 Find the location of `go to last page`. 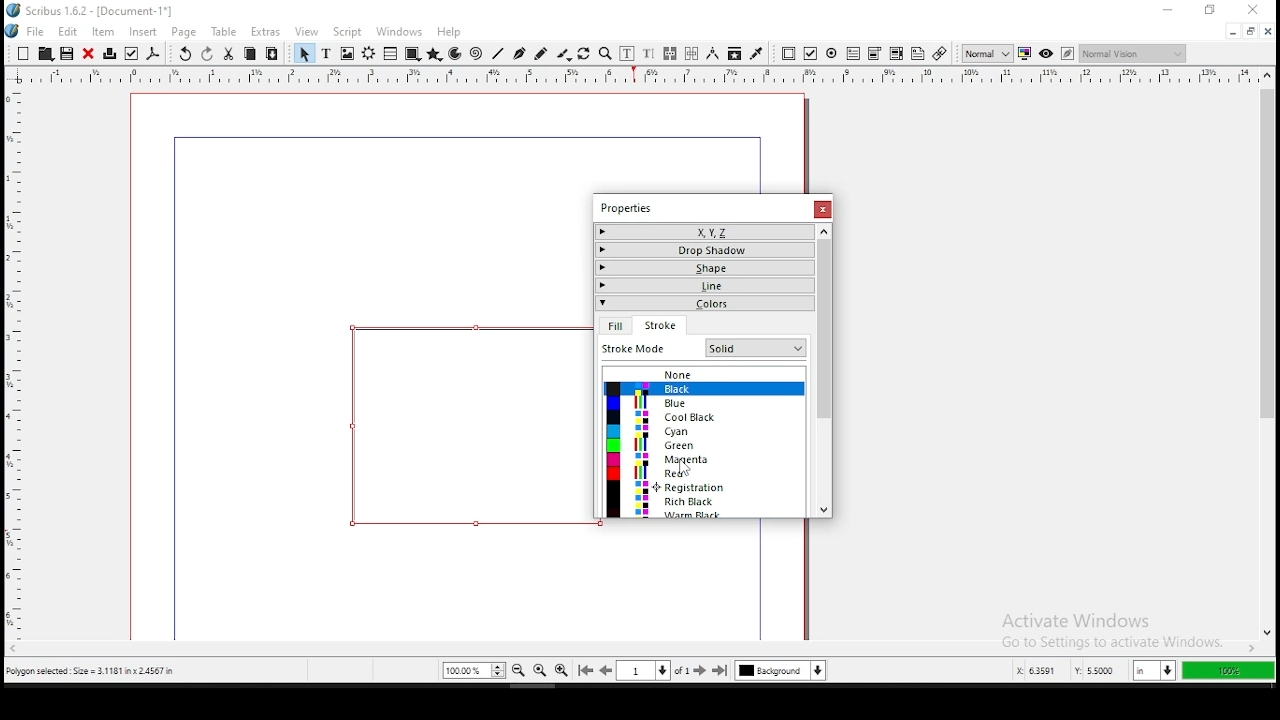

go to last page is located at coordinates (722, 671).